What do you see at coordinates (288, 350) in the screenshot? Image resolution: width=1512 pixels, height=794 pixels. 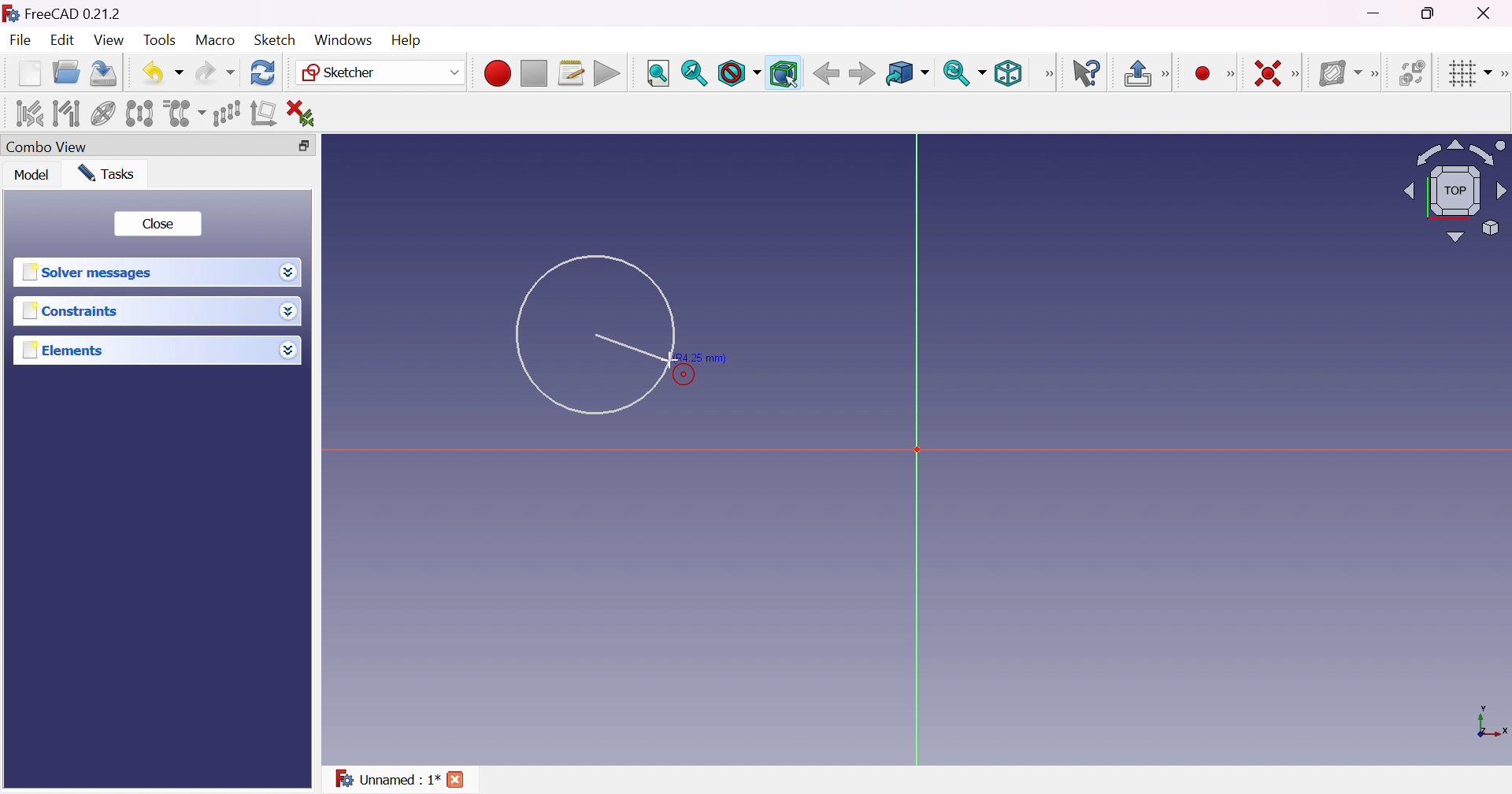 I see `Drop down` at bounding box center [288, 350].